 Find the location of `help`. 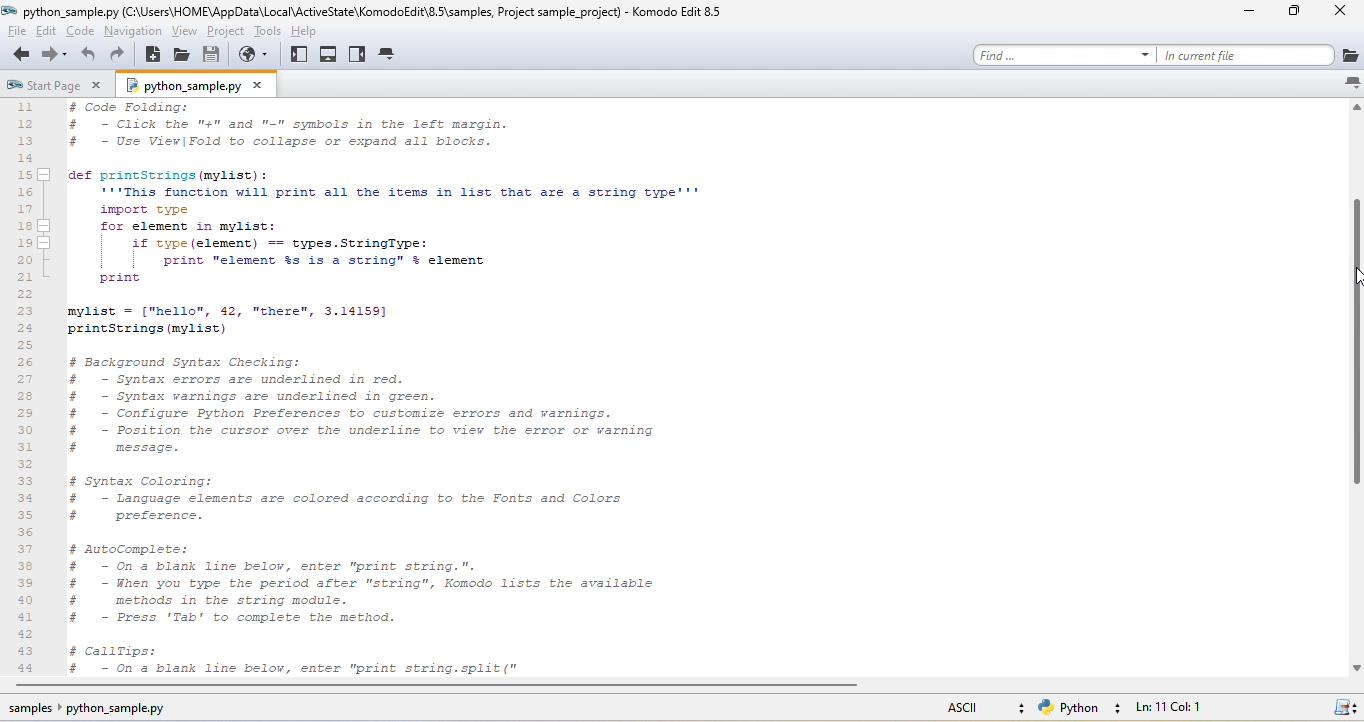

help is located at coordinates (312, 29).